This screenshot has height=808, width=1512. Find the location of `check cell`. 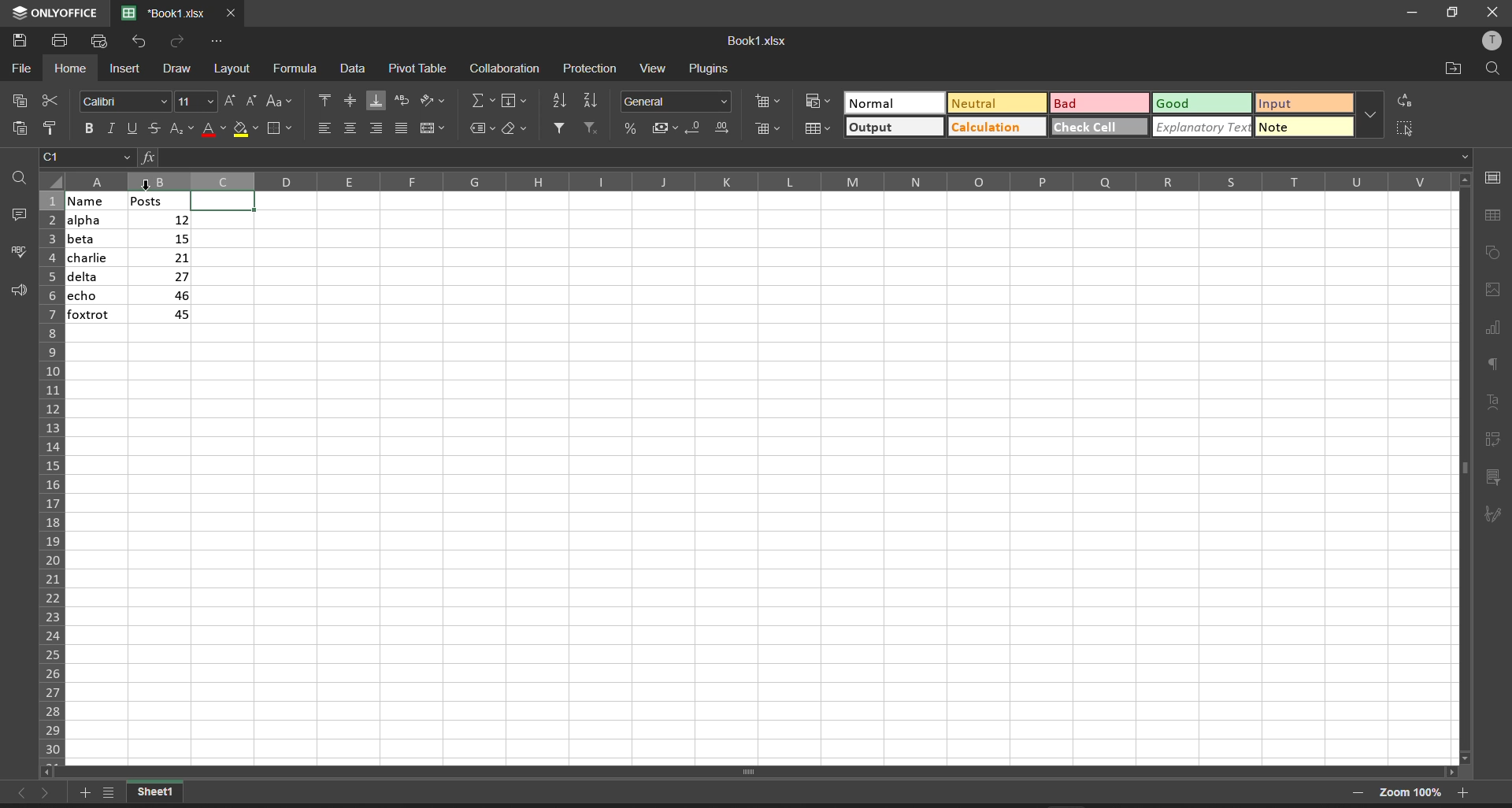

check cell is located at coordinates (1091, 129).